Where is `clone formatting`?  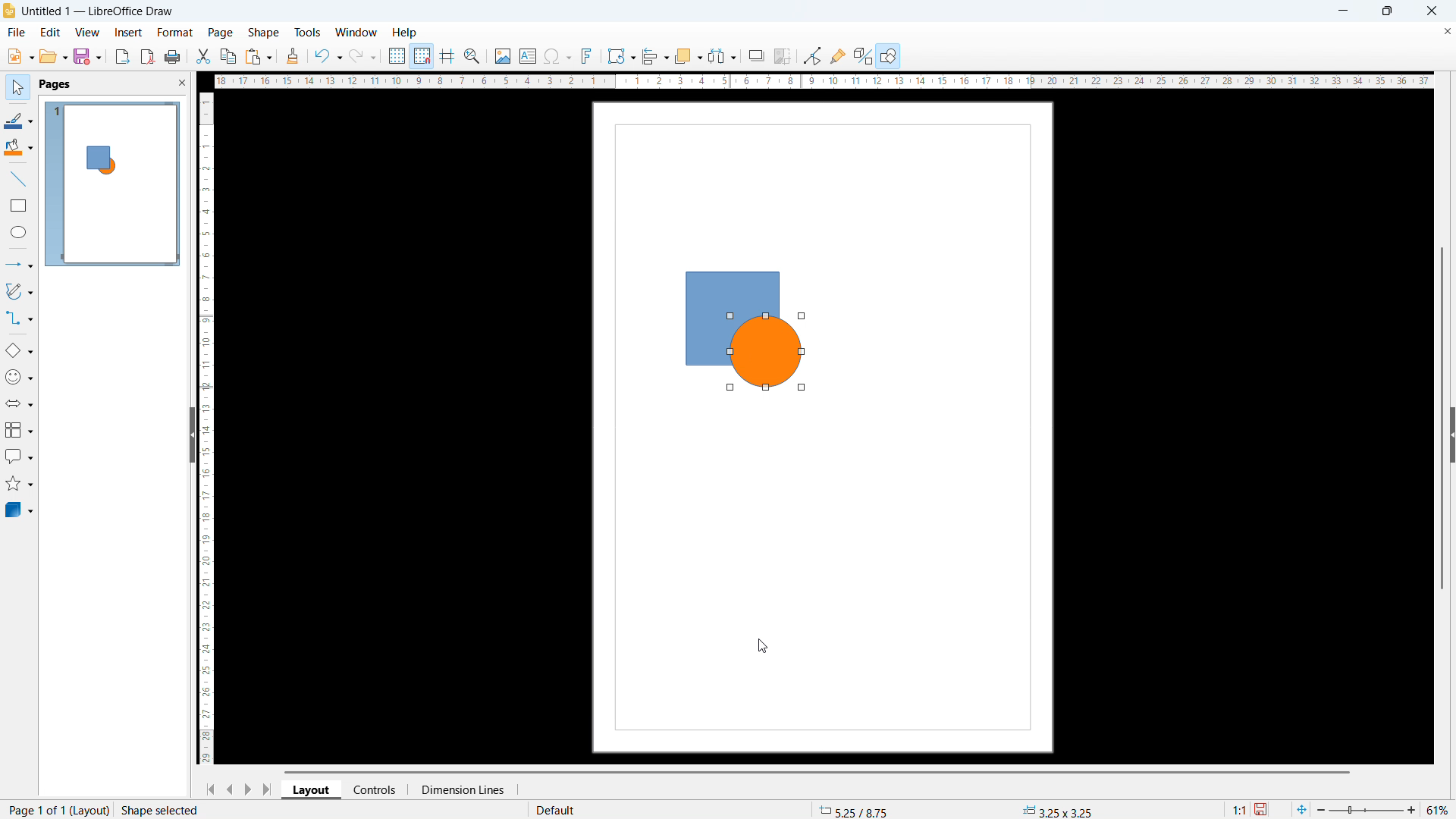
clone formatting is located at coordinates (293, 55).